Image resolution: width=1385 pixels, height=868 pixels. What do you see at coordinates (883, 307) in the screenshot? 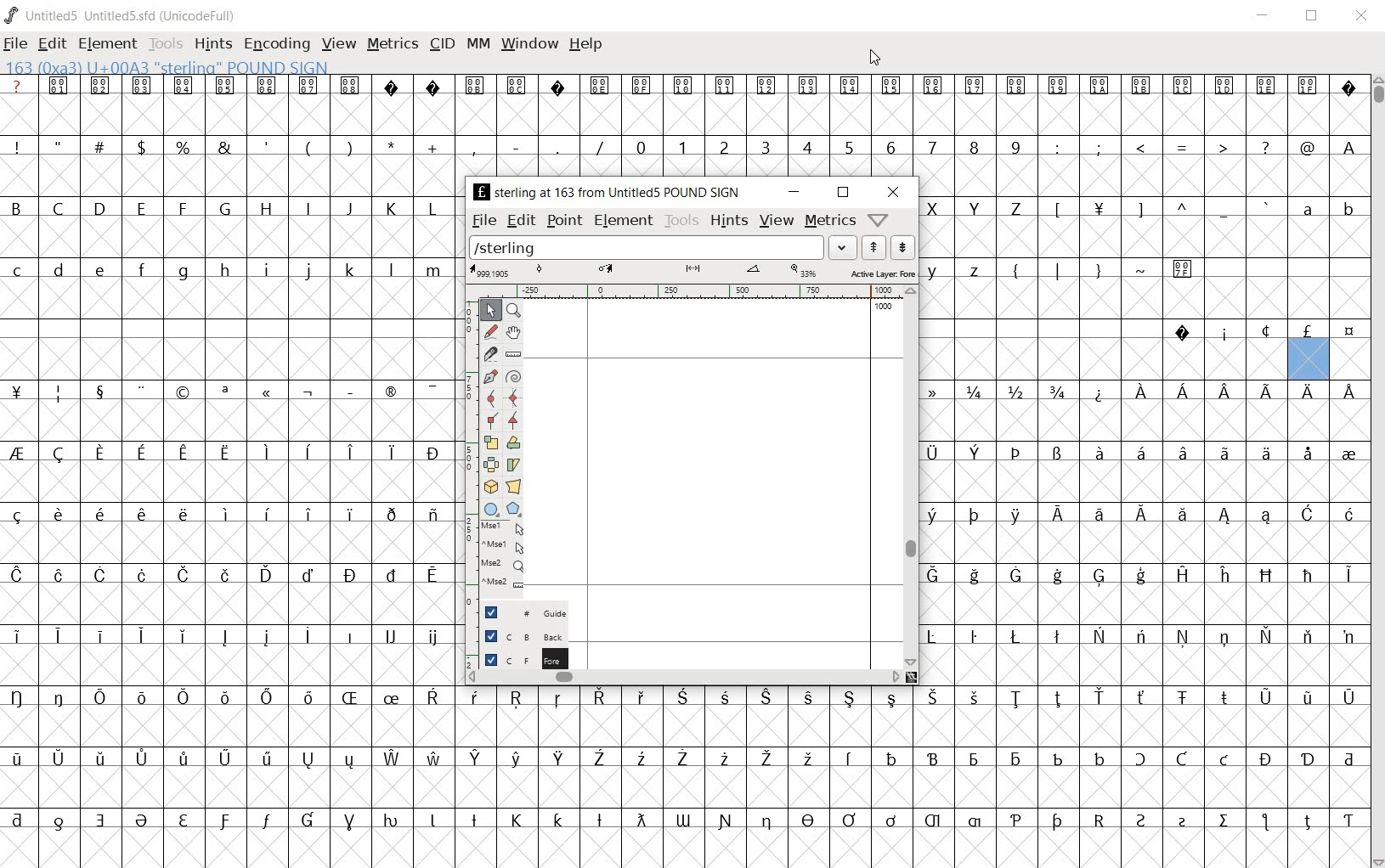
I see `1000` at bounding box center [883, 307].